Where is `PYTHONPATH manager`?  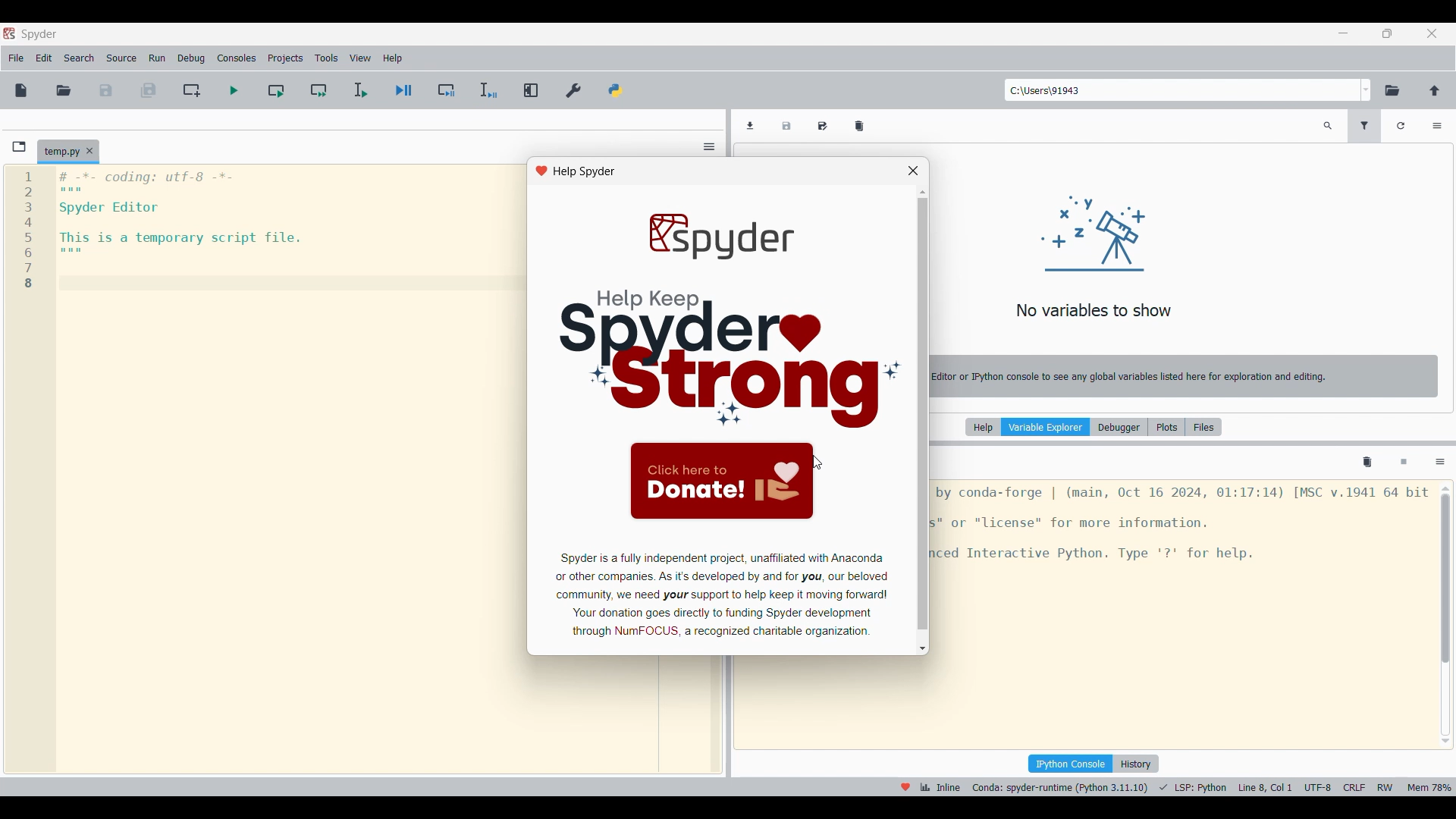 PYTHONPATH manager is located at coordinates (615, 88).